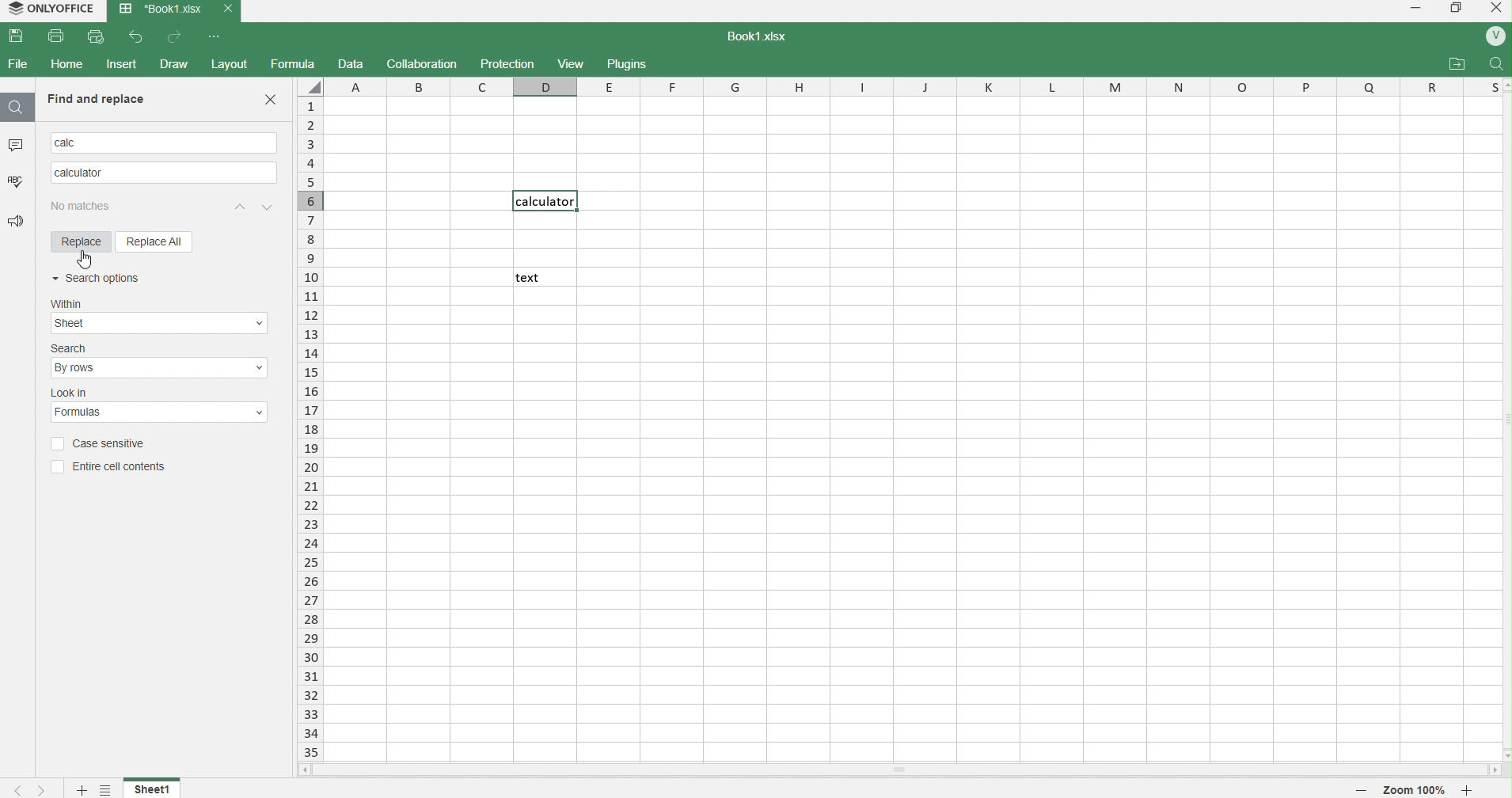 The image size is (1512, 798). Describe the element at coordinates (11, 788) in the screenshot. I see `previous sheet` at that location.